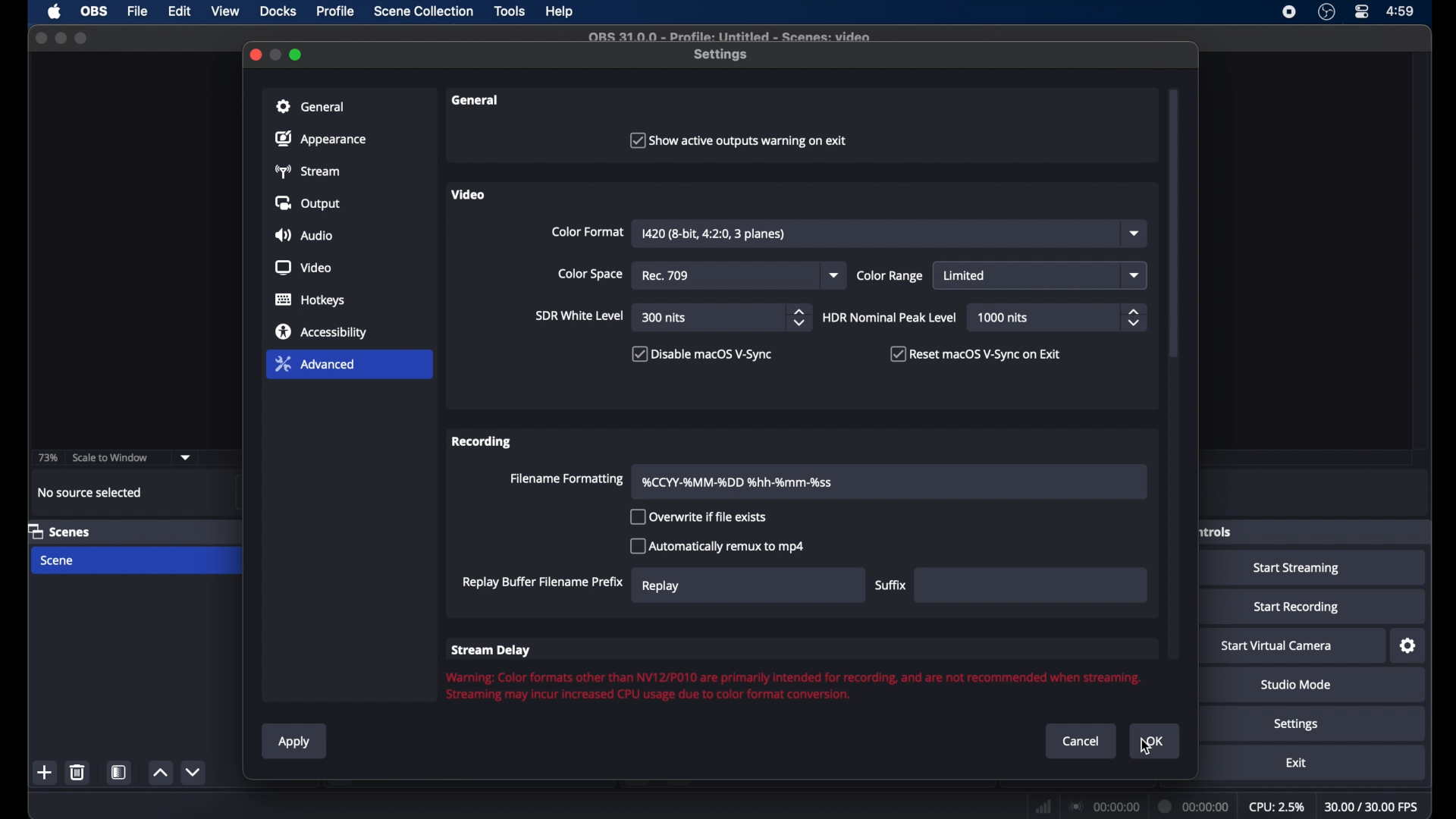  What do you see at coordinates (799, 317) in the screenshot?
I see `stepper buttons` at bounding box center [799, 317].